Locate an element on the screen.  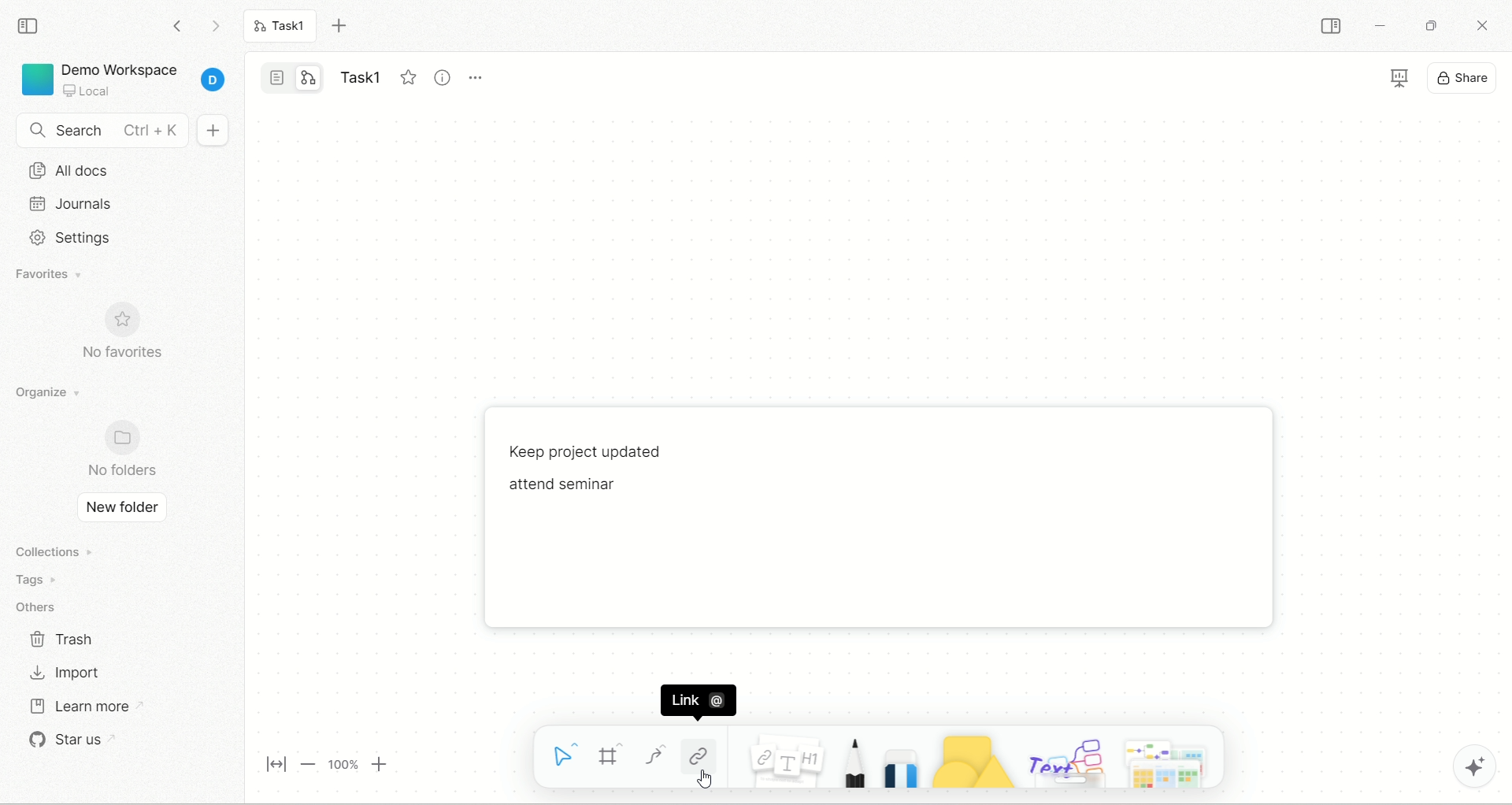
edgeless mode is located at coordinates (308, 78).